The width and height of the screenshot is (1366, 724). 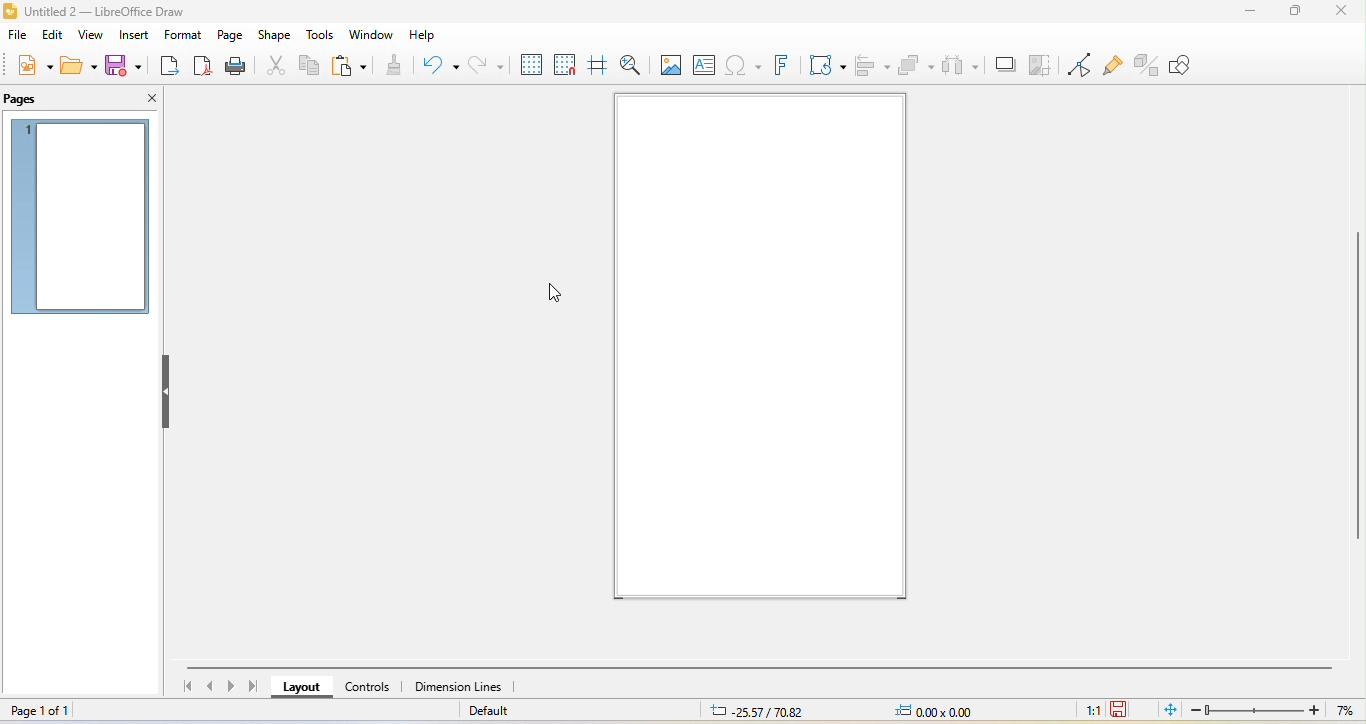 I want to click on tools, so click(x=321, y=36).